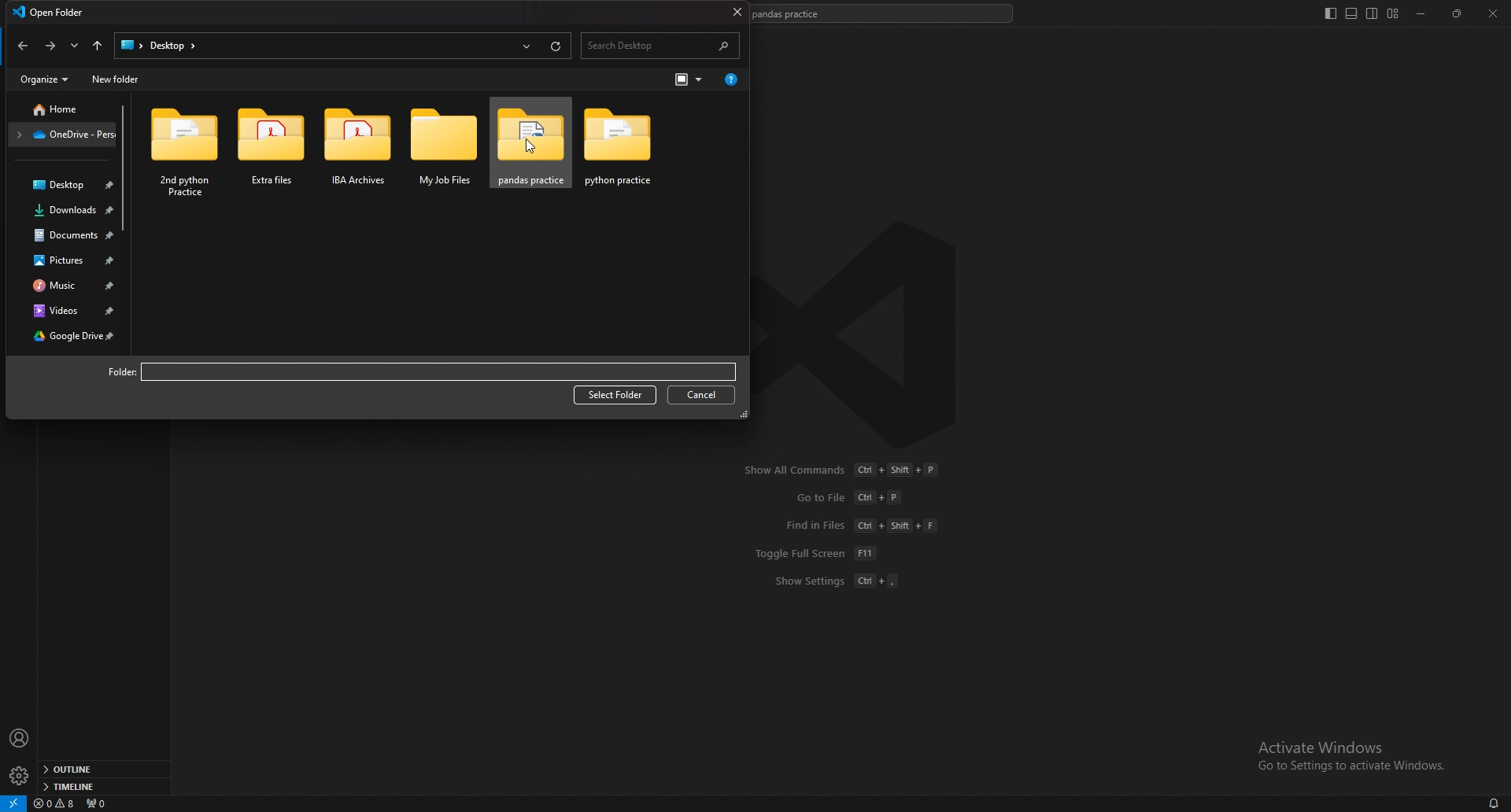 This screenshot has height=812, width=1511. I want to click on google drive, so click(68, 337).